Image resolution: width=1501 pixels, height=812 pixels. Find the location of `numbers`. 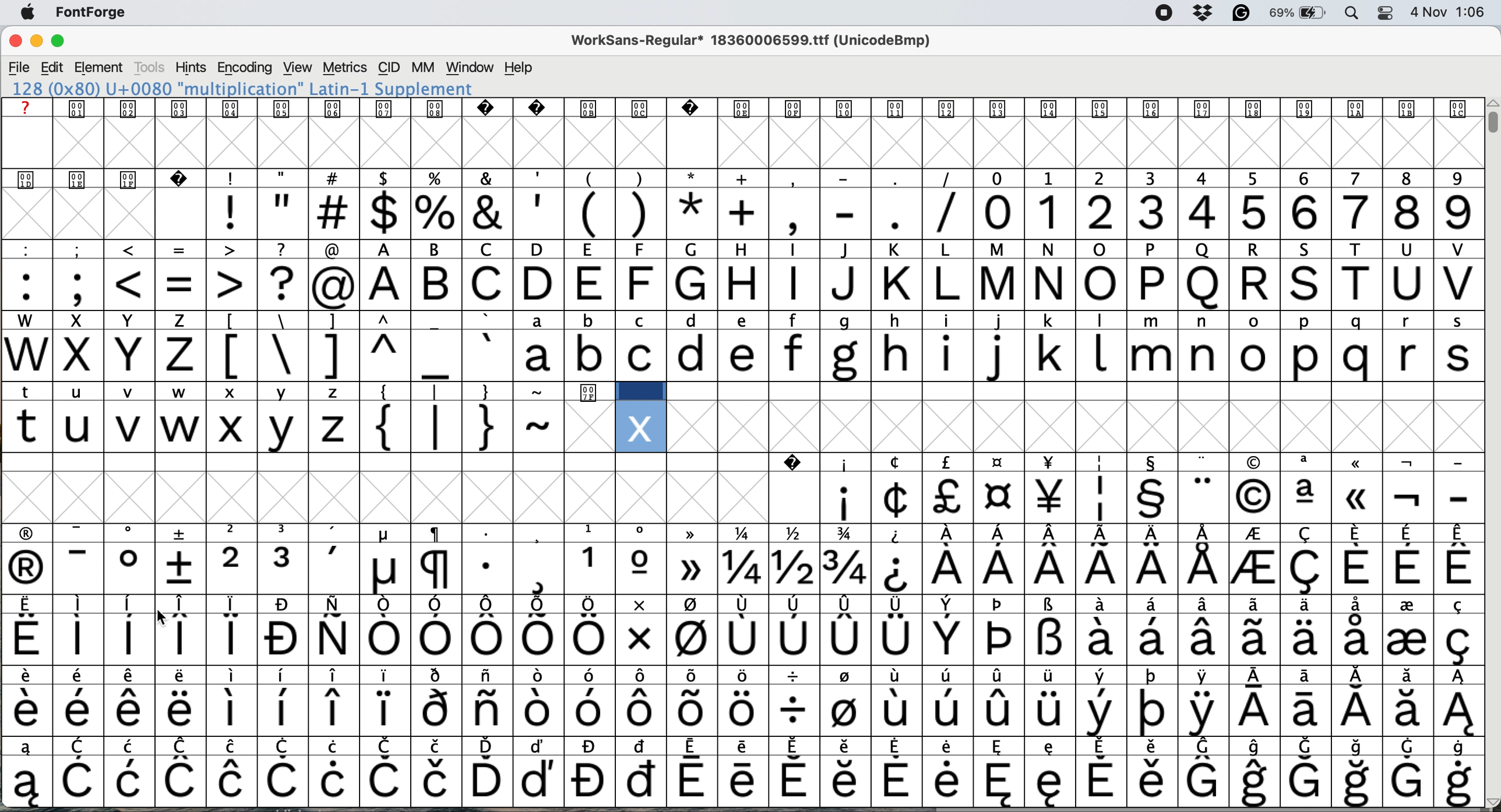

numbers is located at coordinates (1227, 211).